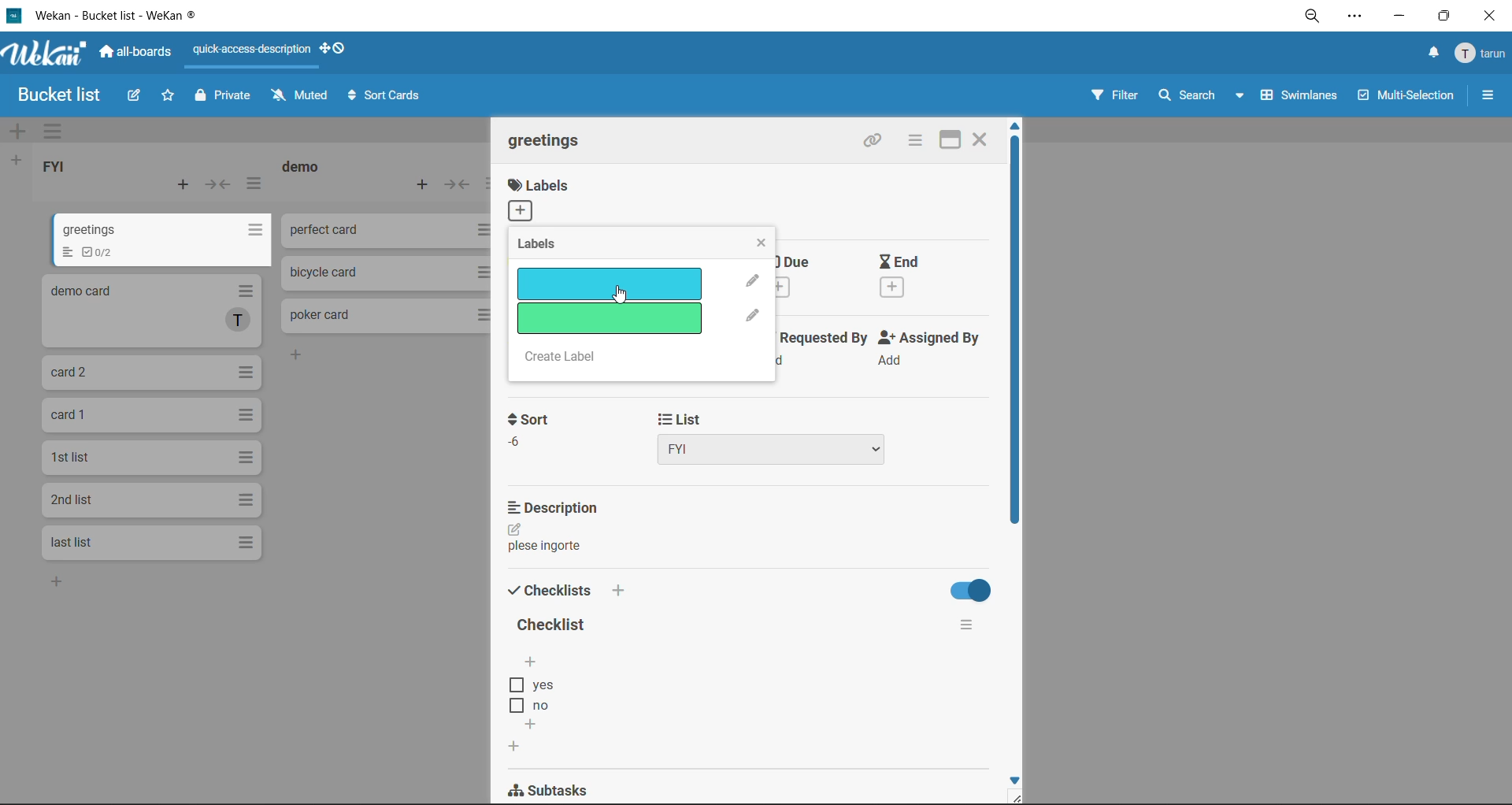 The width and height of the screenshot is (1512, 805). Describe the element at coordinates (552, 625) in the screenshot. I see `title` at that location.